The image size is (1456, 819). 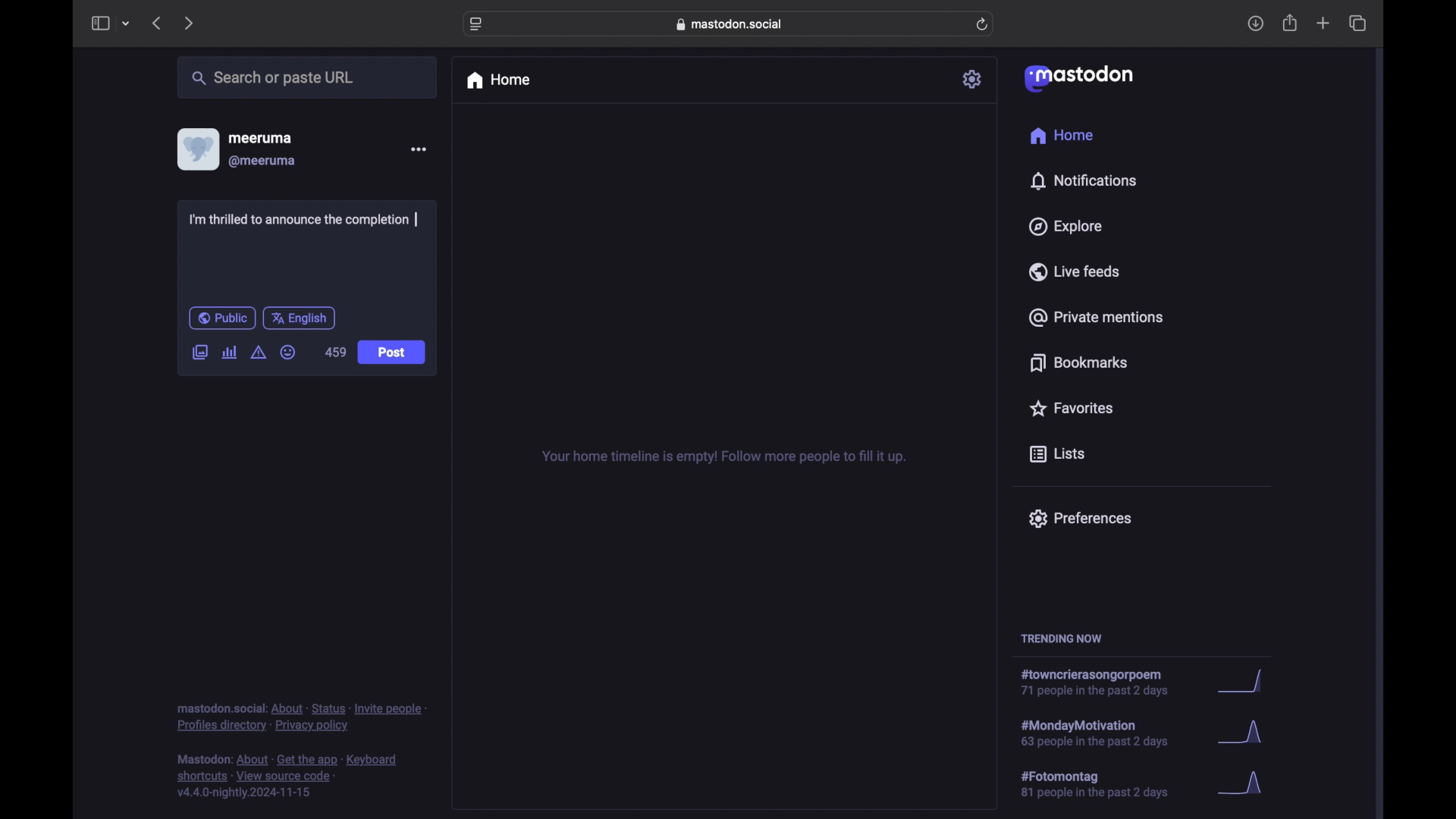 What do you see at coordinates (260, 353) in the screenshot?
I see `add content warning` at bounding box center [260, 353].